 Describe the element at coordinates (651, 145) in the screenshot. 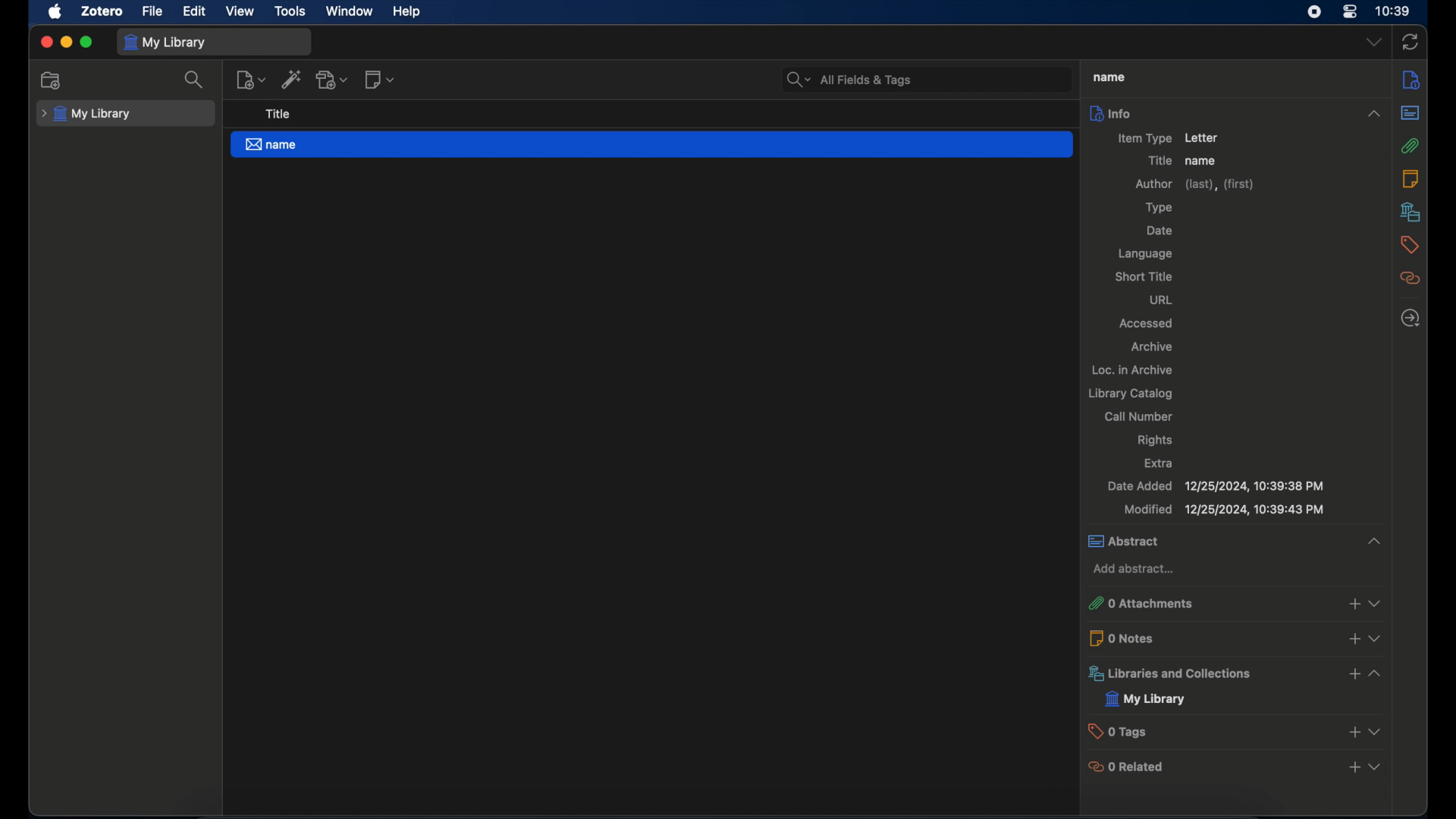

I see `name` at that location.